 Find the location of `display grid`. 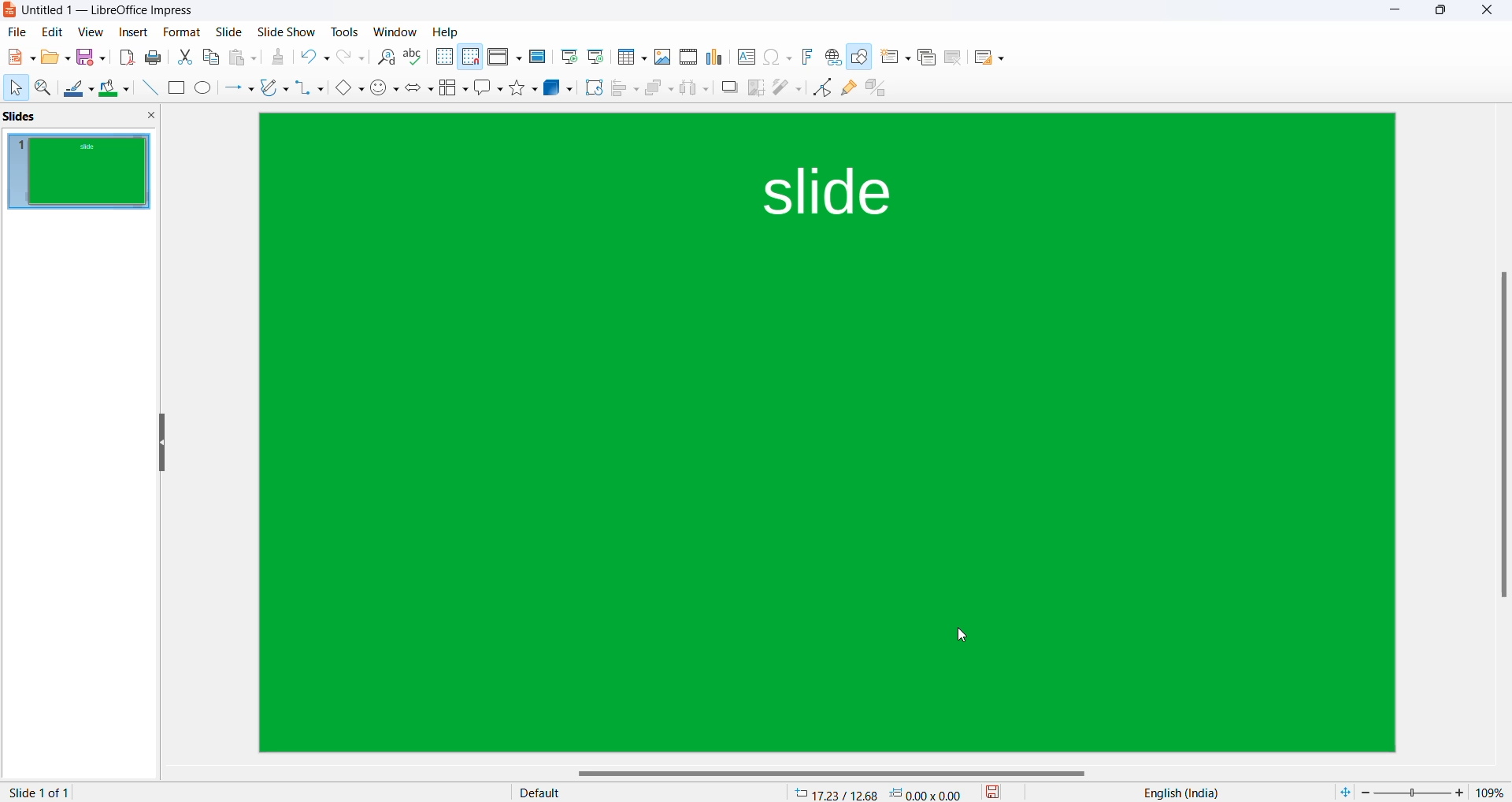

display grid is located at coordinates (443, 58).